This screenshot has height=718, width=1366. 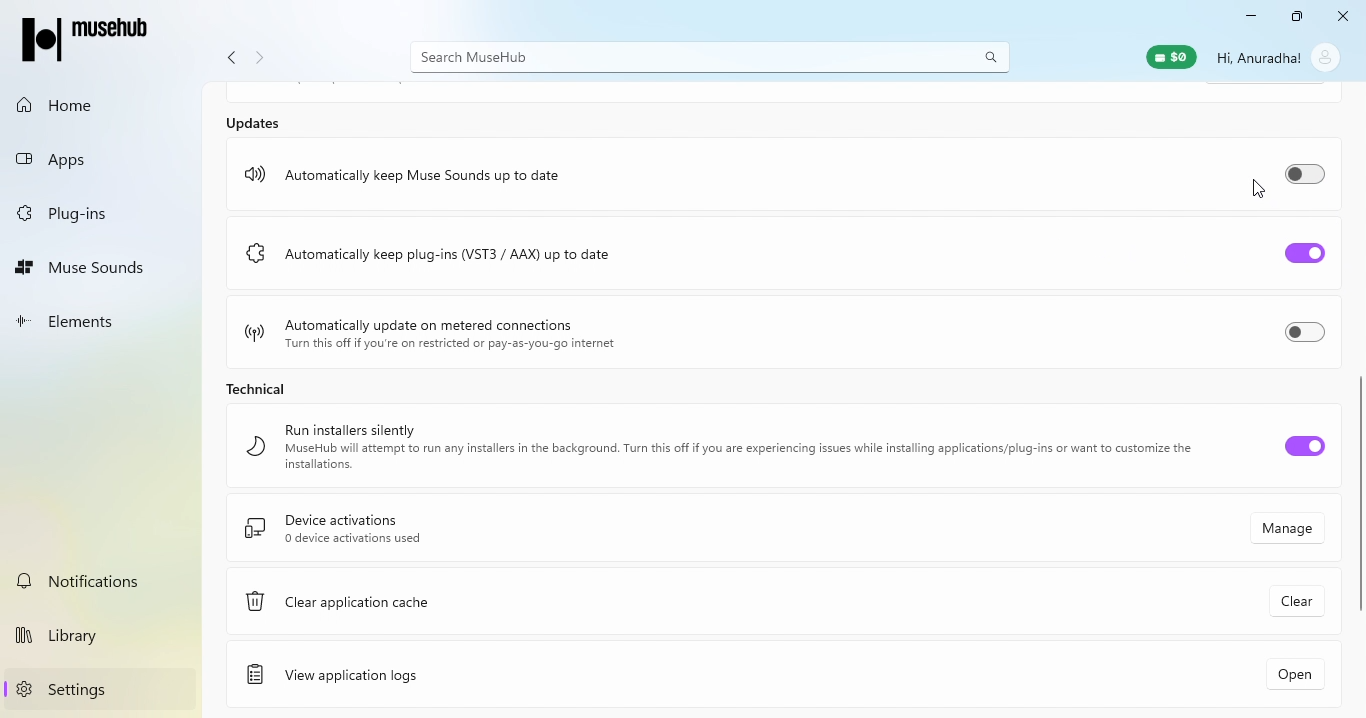 What do you see at coordinates (106, 689) in the screenshot?
I see `Settings` at bounding box center [106, 689].